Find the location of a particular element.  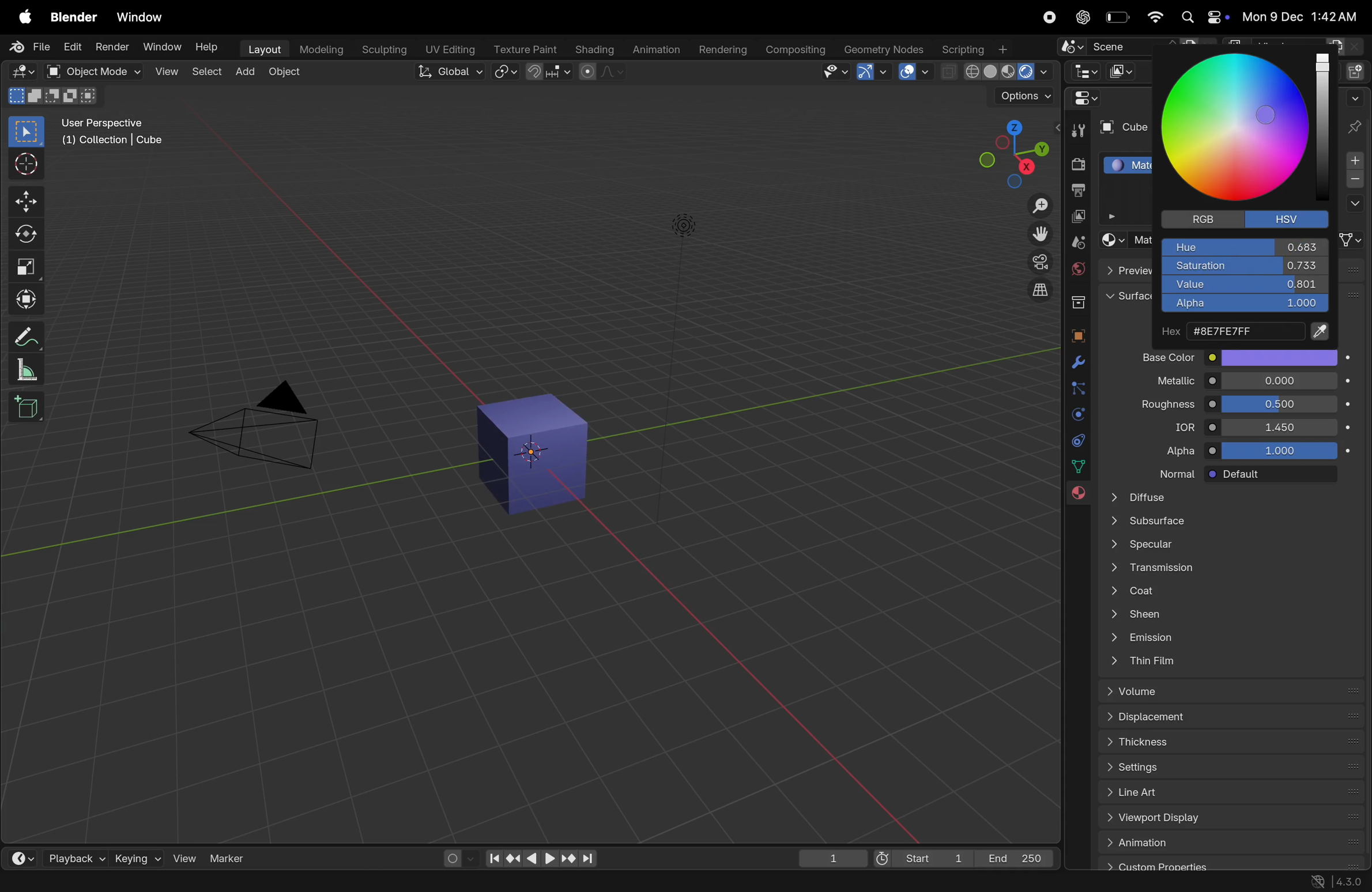

auuto keying is located at coordinates (451, 857).